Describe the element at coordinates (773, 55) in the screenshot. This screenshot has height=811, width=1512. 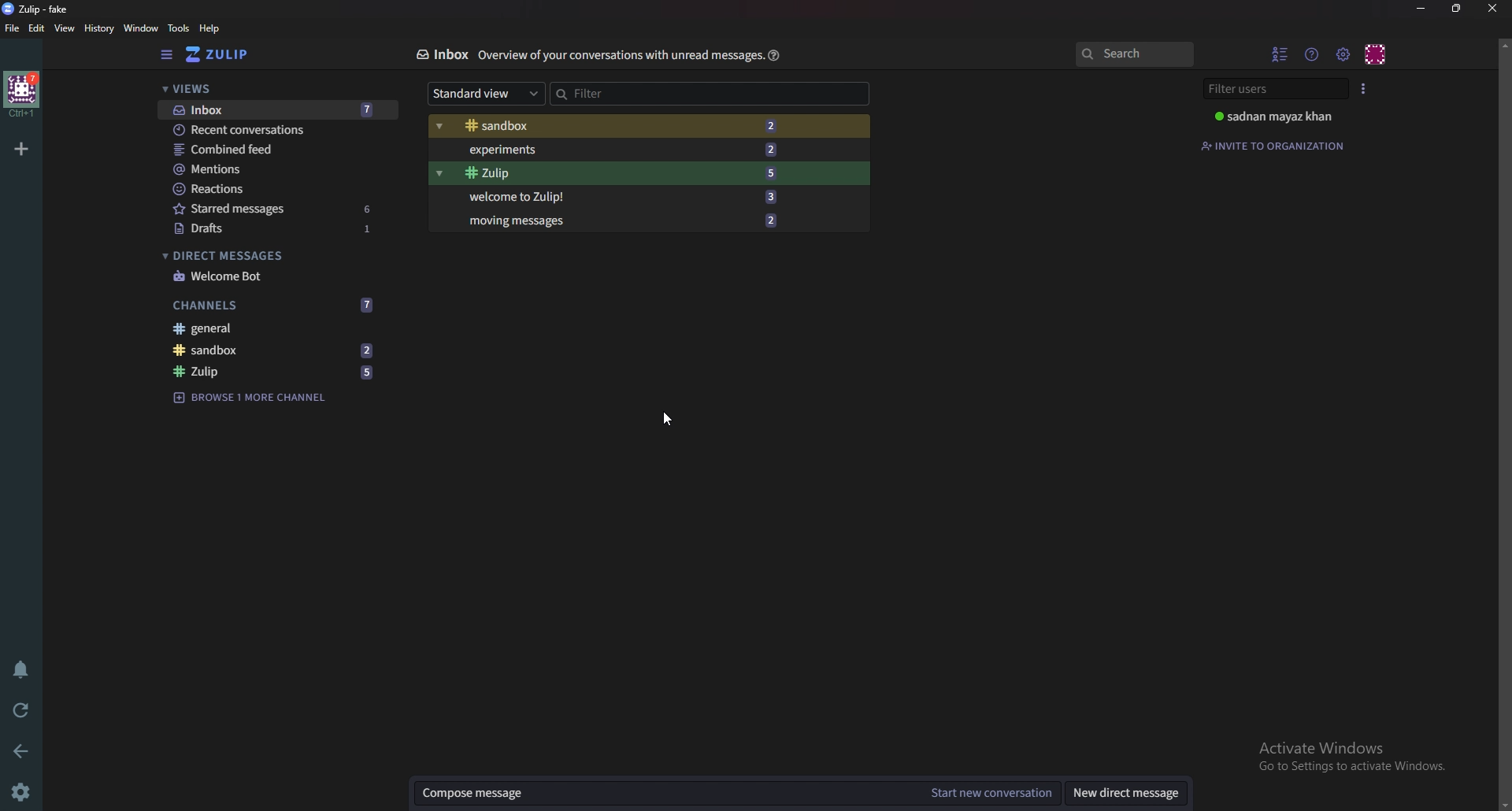
I see `Help` at that location.